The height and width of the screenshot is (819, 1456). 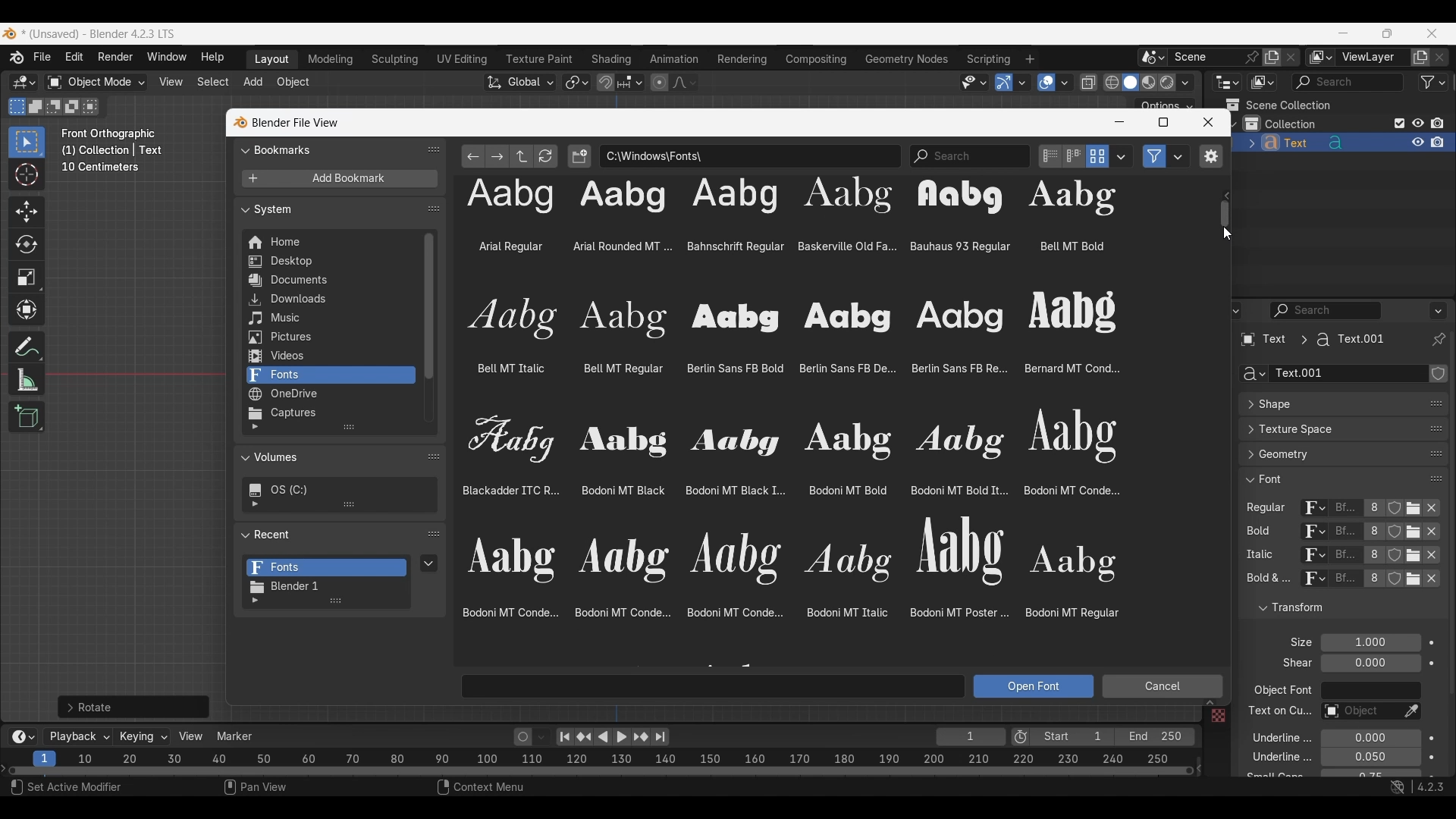 What do you see at coordinates (1251, 374) in the screenshot?
I see `Browse Curve Data to be linked` at bounding box center [1251, 374].